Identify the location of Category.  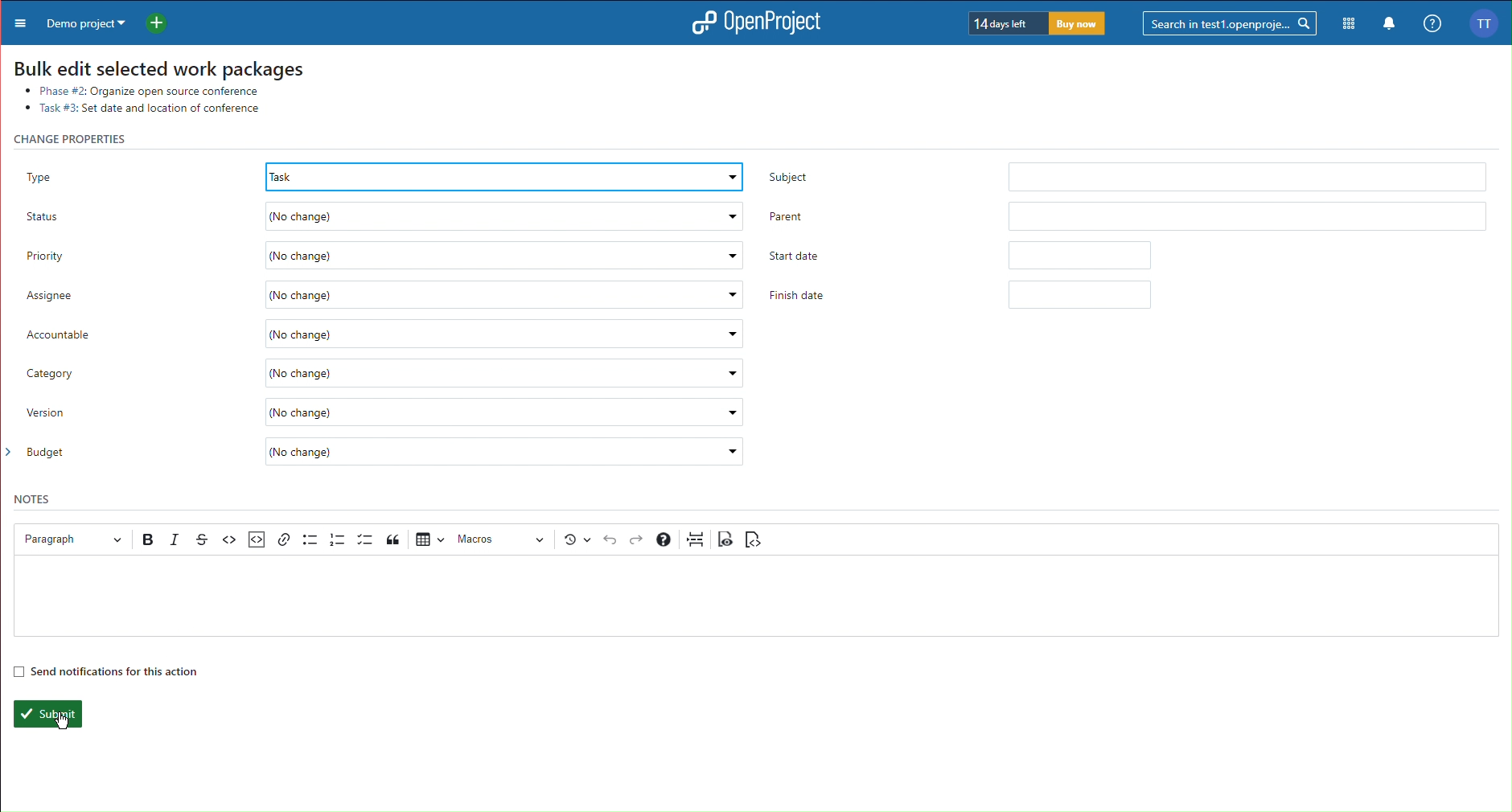
(386, 374).